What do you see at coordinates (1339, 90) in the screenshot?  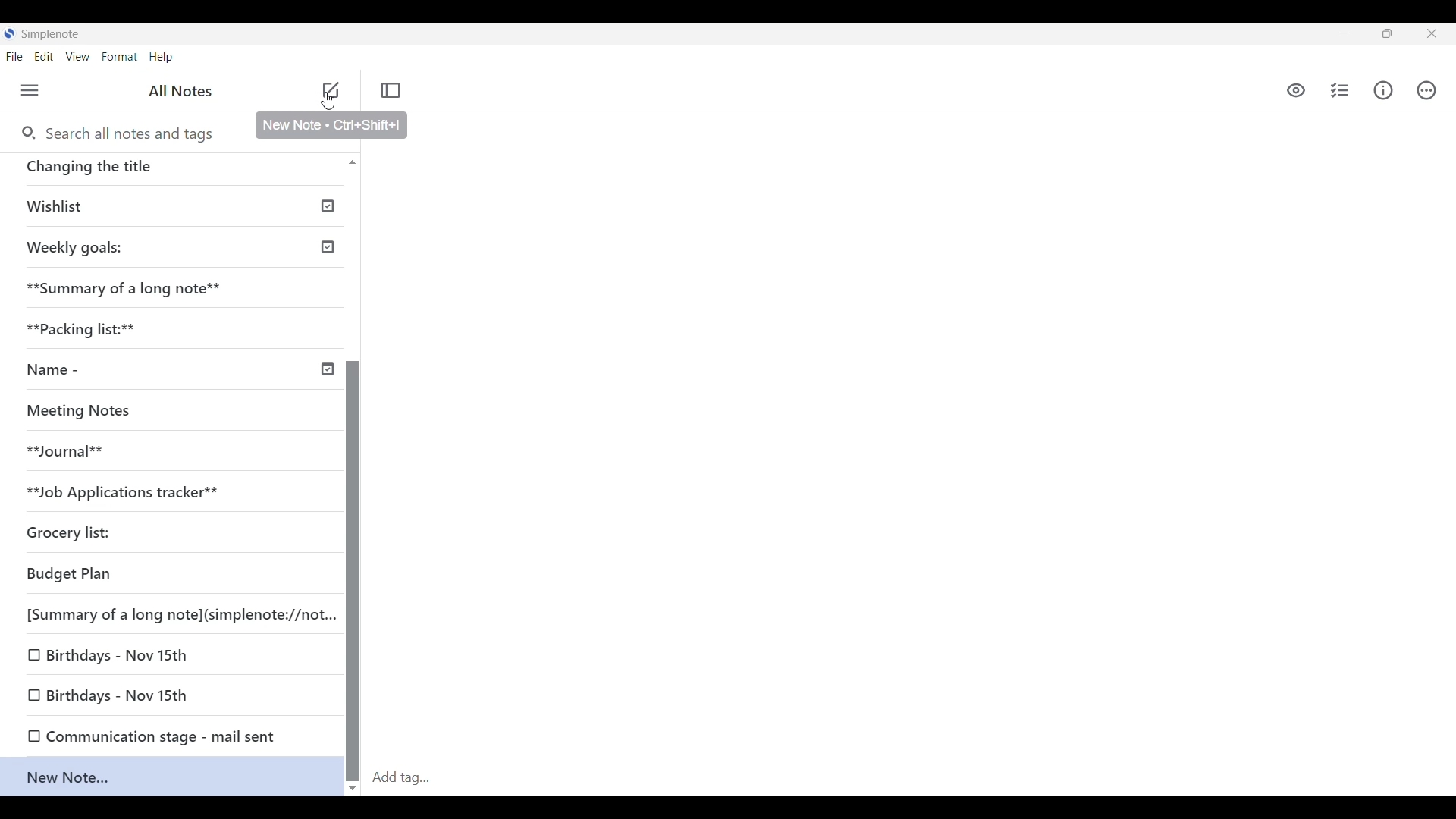 I see `Insert checklist` at bounding box center [1339, 90].